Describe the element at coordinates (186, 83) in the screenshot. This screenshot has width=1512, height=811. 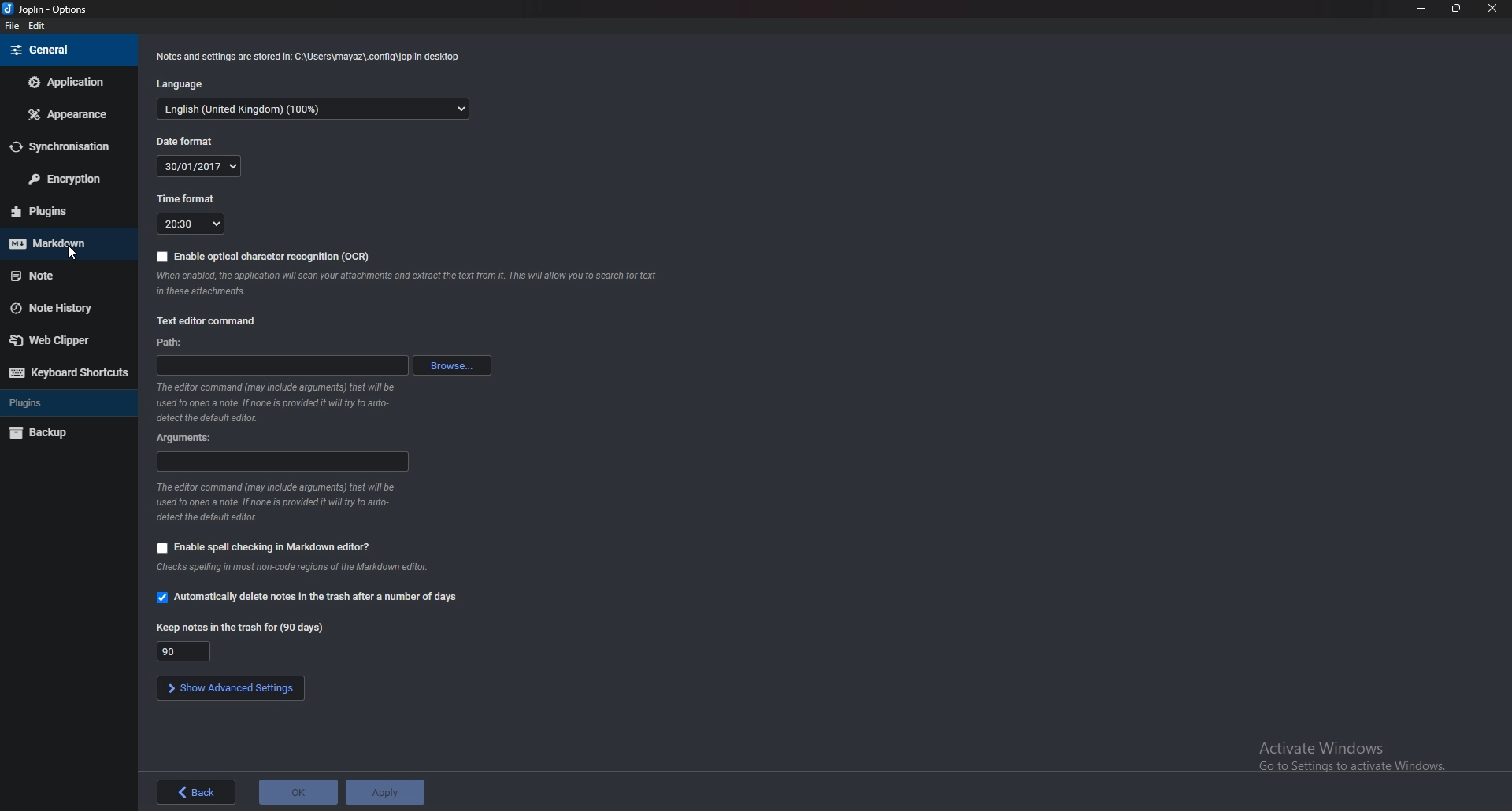
I see `Language` at that location.